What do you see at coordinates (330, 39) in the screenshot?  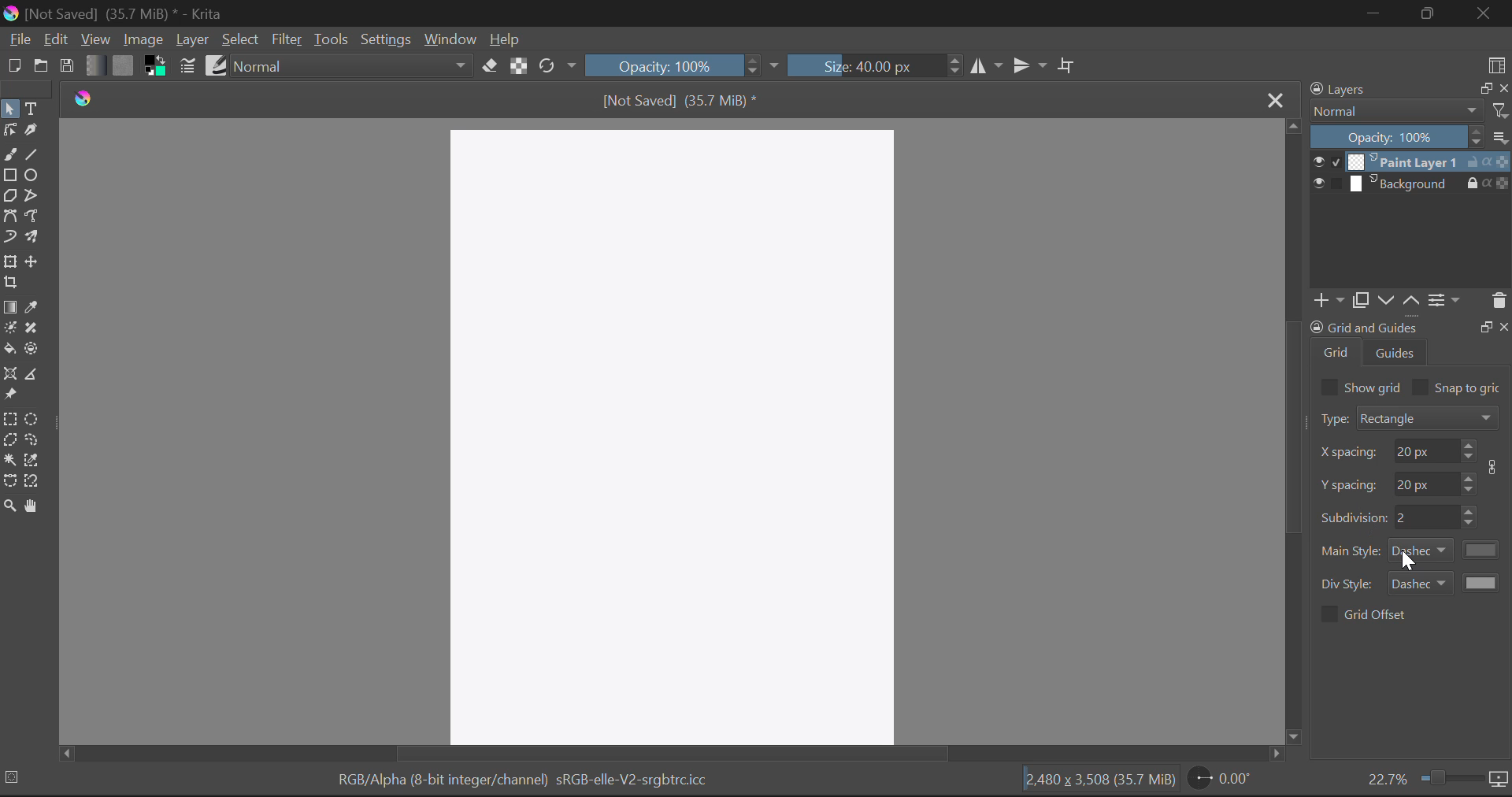 I see `Tools` at bounding box center [330, 39].